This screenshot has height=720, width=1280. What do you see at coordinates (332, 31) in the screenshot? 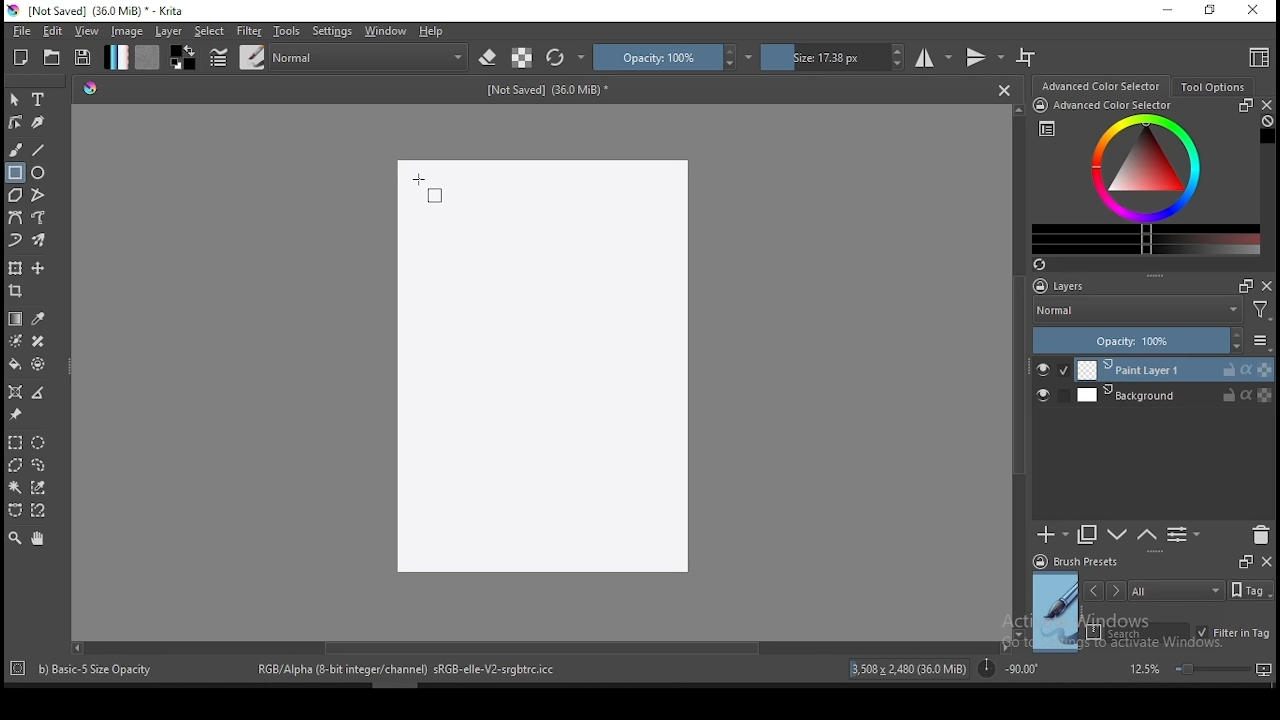
I see `settings` at bounding box center [332, 31].